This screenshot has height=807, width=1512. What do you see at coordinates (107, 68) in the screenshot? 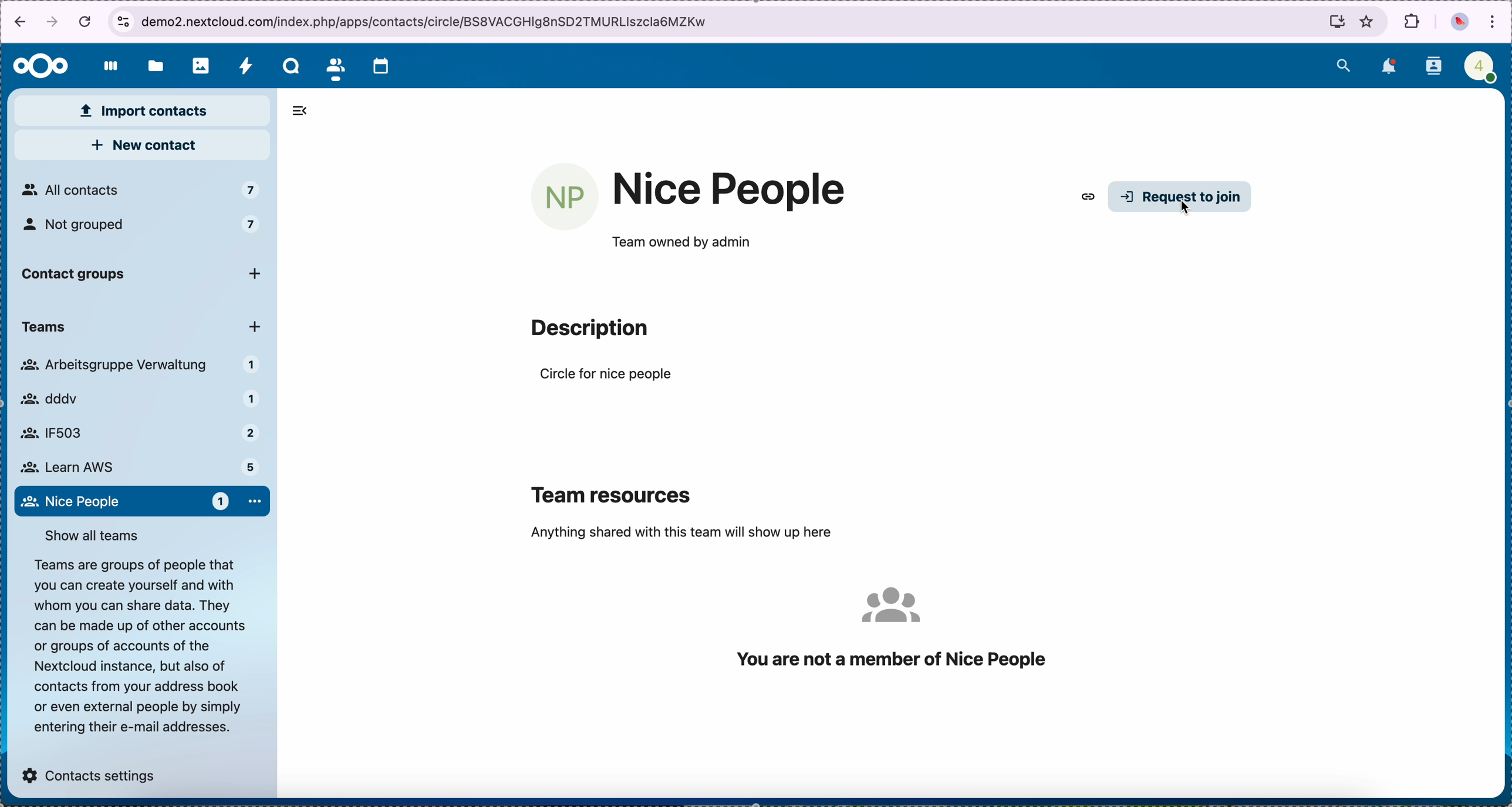
I see `dashboard` at bounding box center [107, 68].